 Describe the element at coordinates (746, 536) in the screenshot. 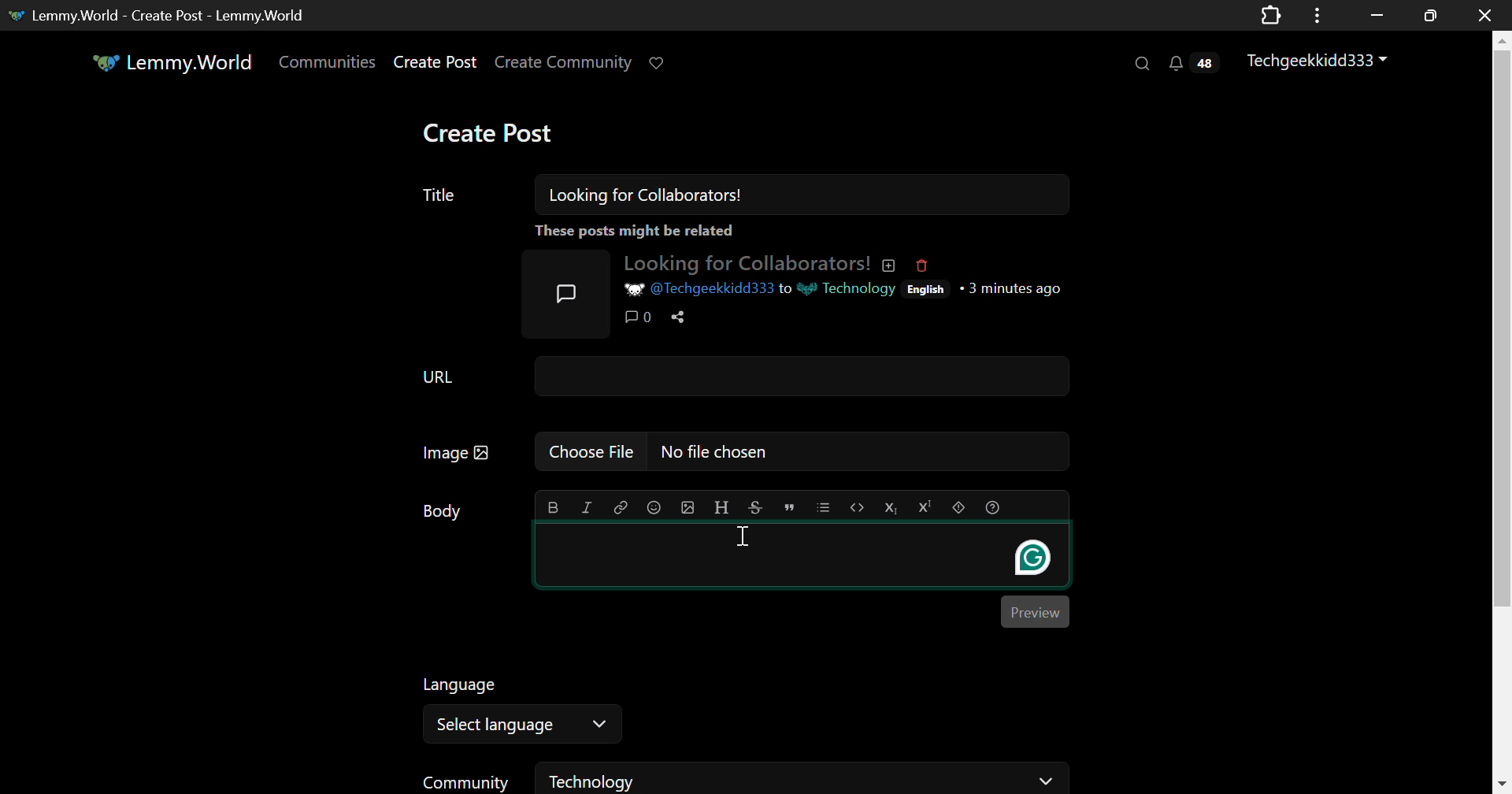

I see `Cursor on Post Body Textbox` at that location.